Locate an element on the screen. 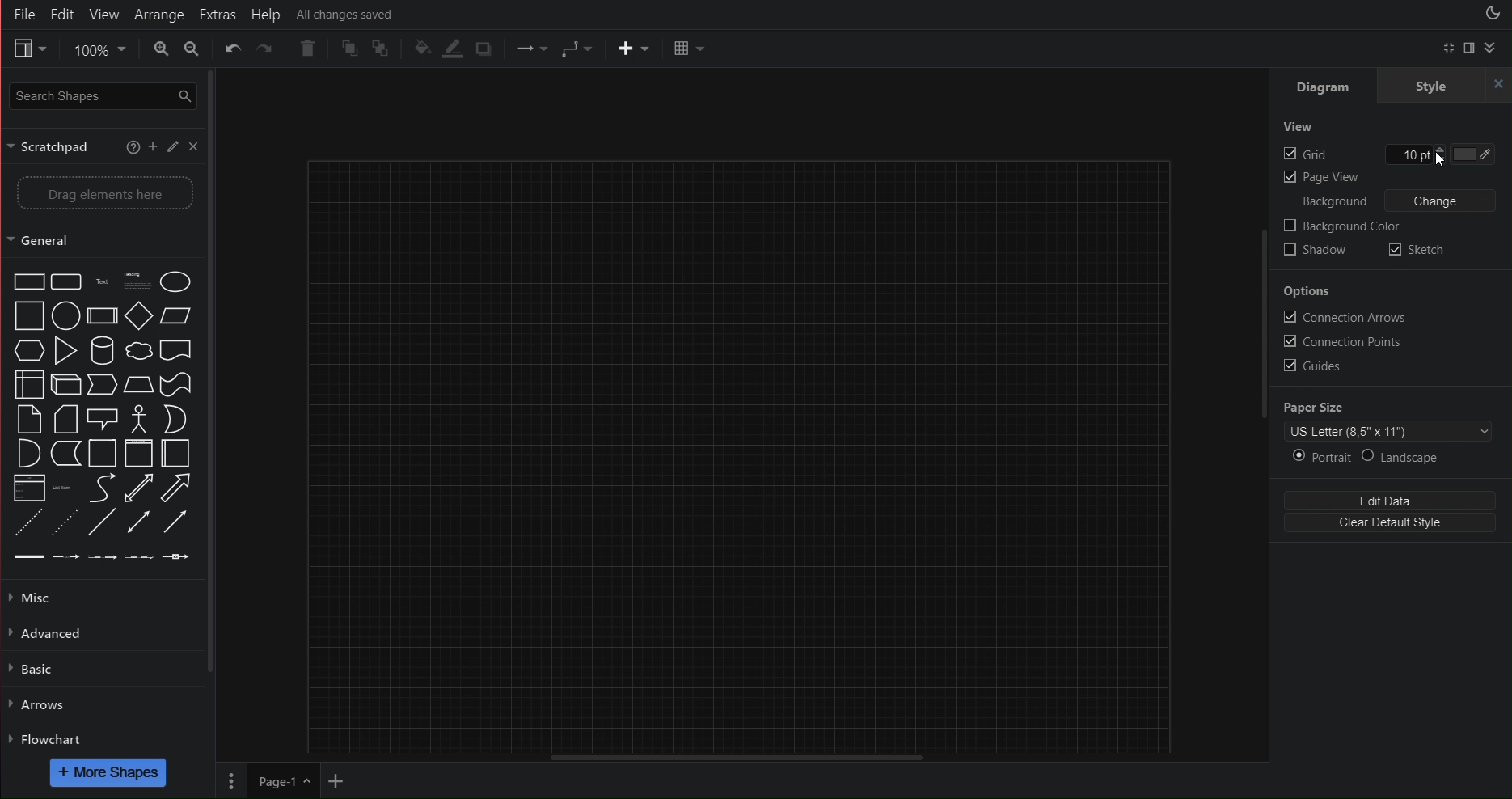  big box is located at coordinates (23, 314).